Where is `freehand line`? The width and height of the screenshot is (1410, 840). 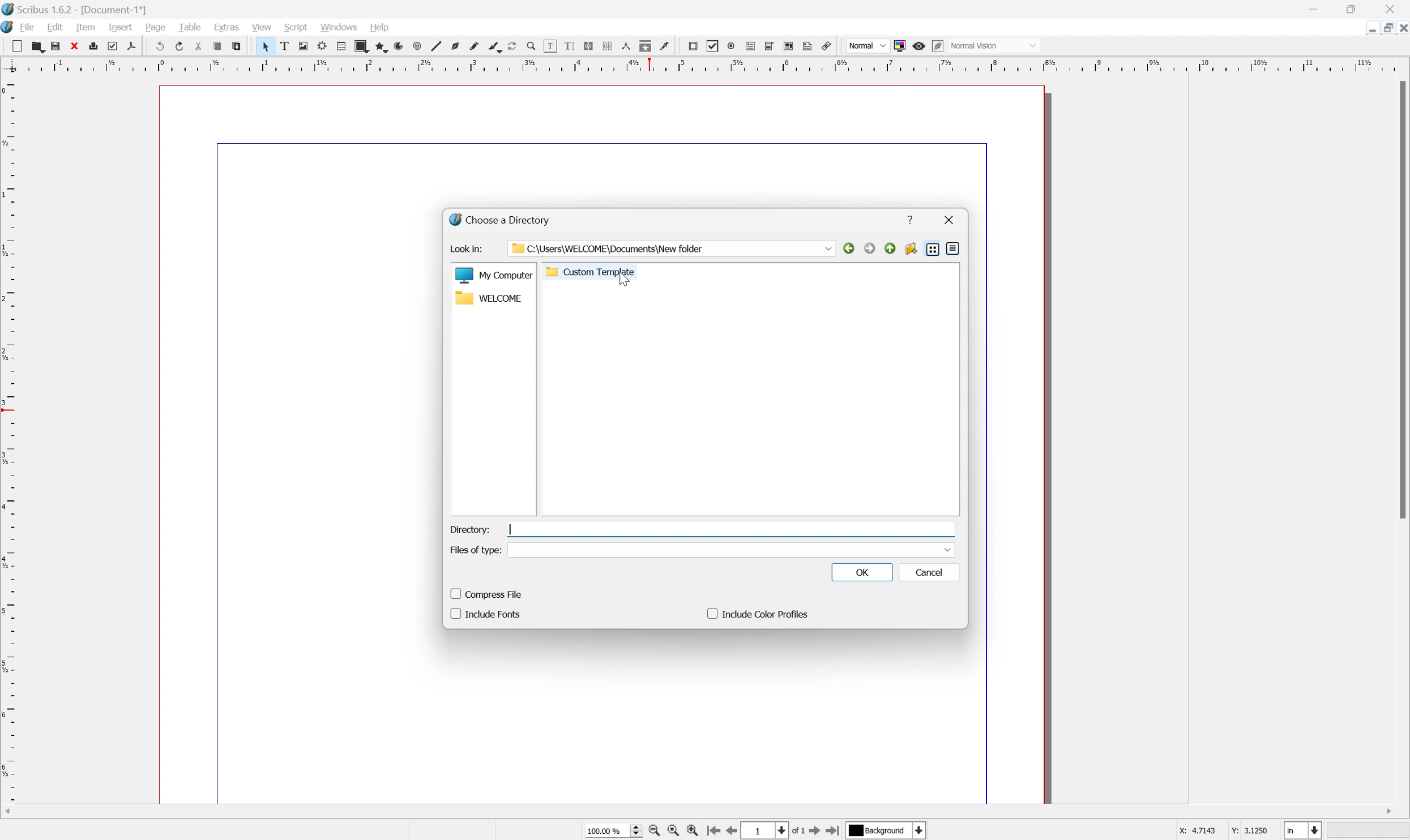 freehand line is located at coordinates (477, 45).